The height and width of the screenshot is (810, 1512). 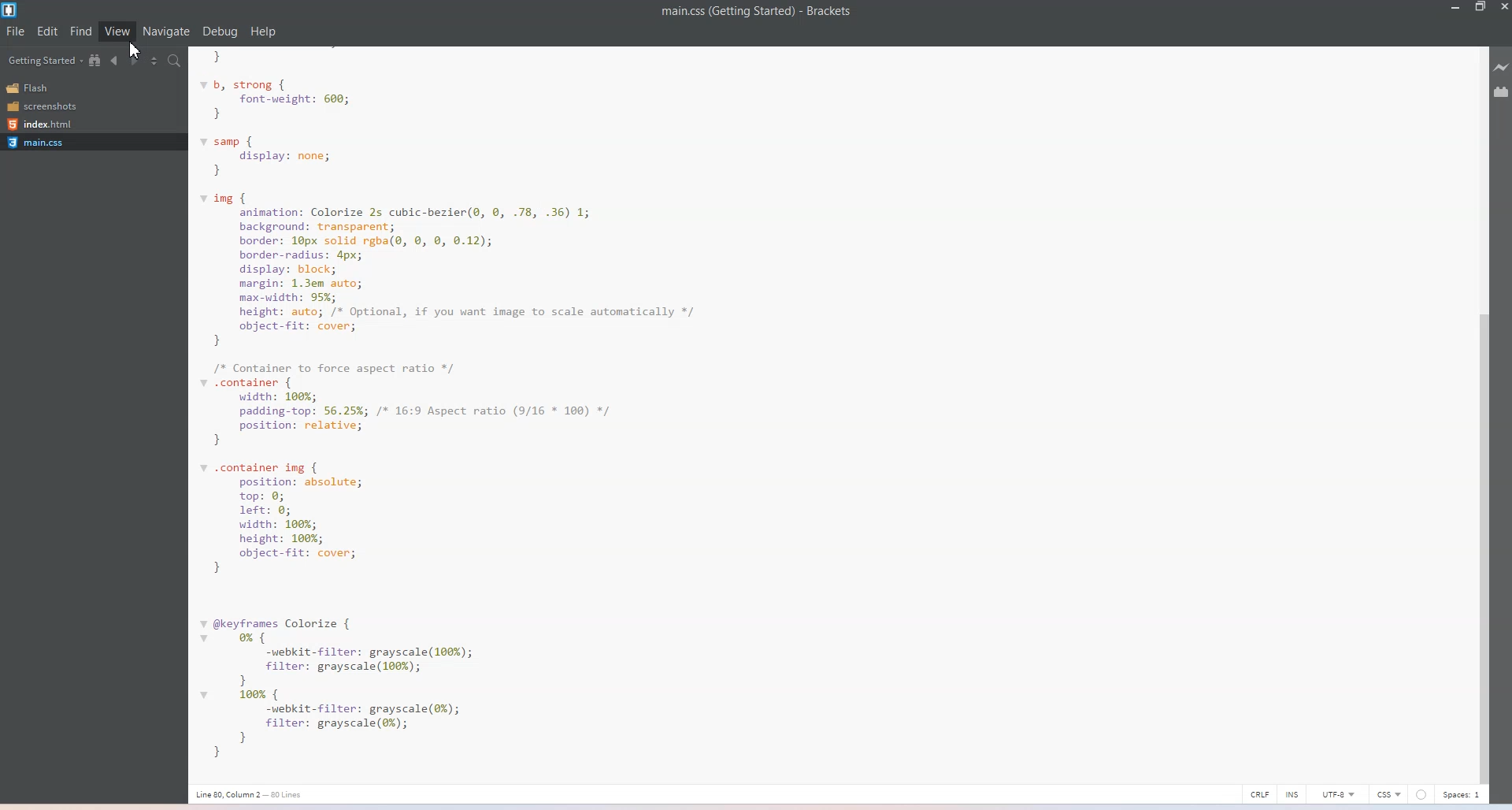 I want to click on View, so click(x=117, y=31).